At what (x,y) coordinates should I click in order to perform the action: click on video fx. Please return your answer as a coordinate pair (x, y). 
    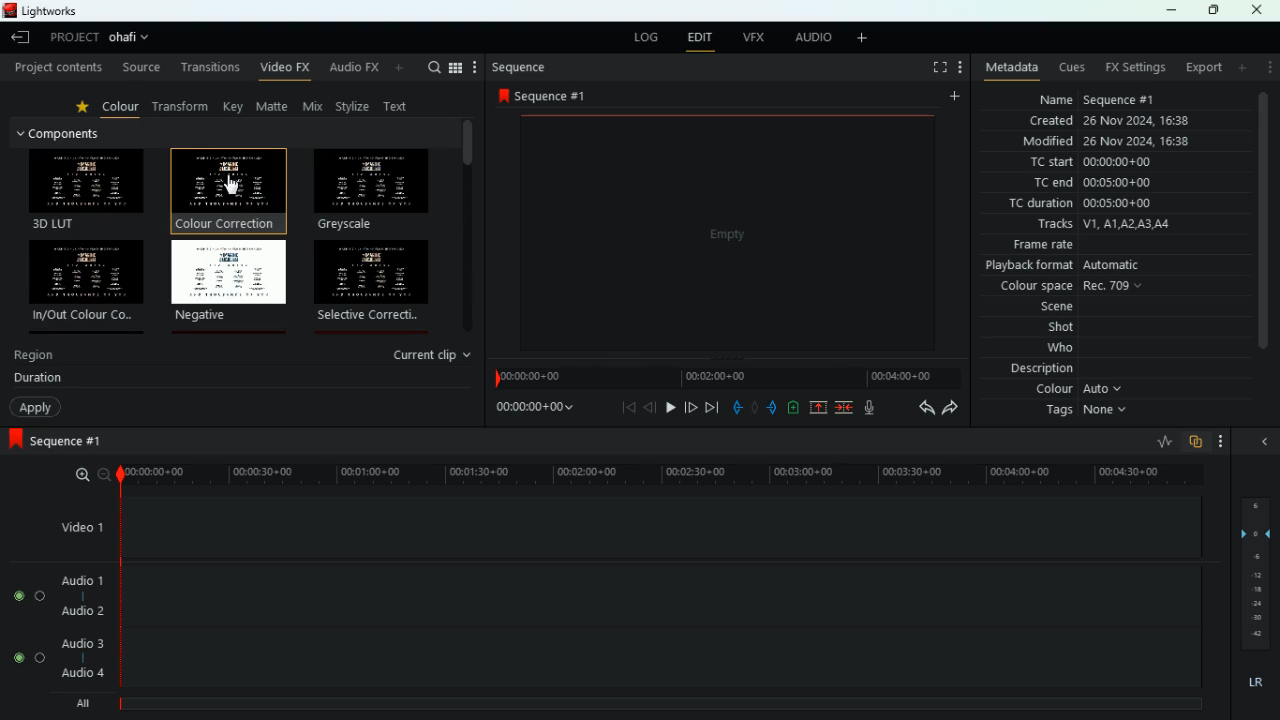
    Looking at the image, I should click on (286, 69).